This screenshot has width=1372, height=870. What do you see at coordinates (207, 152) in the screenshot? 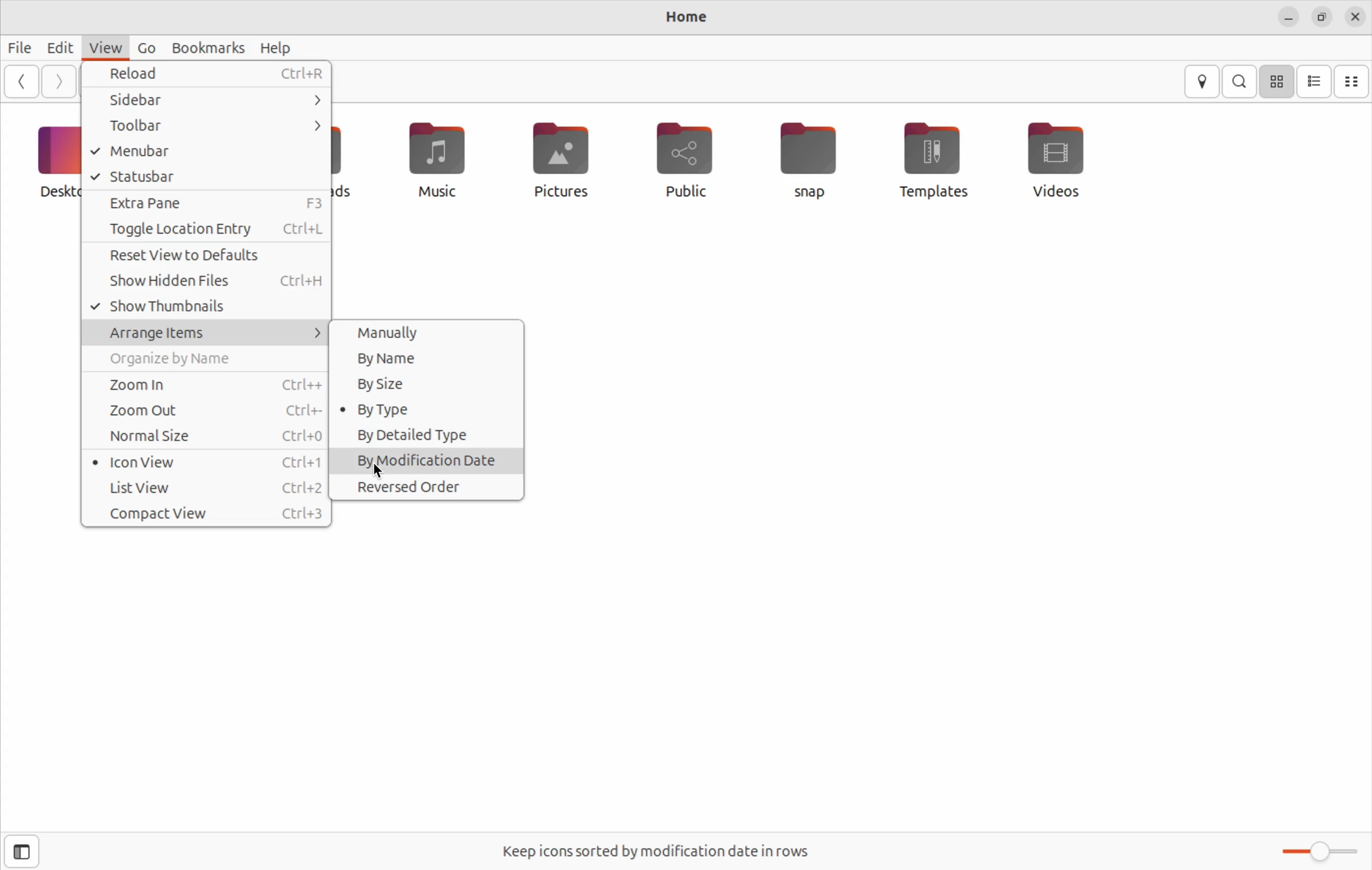
I see `menu bar` at bounding box center [207, 152].